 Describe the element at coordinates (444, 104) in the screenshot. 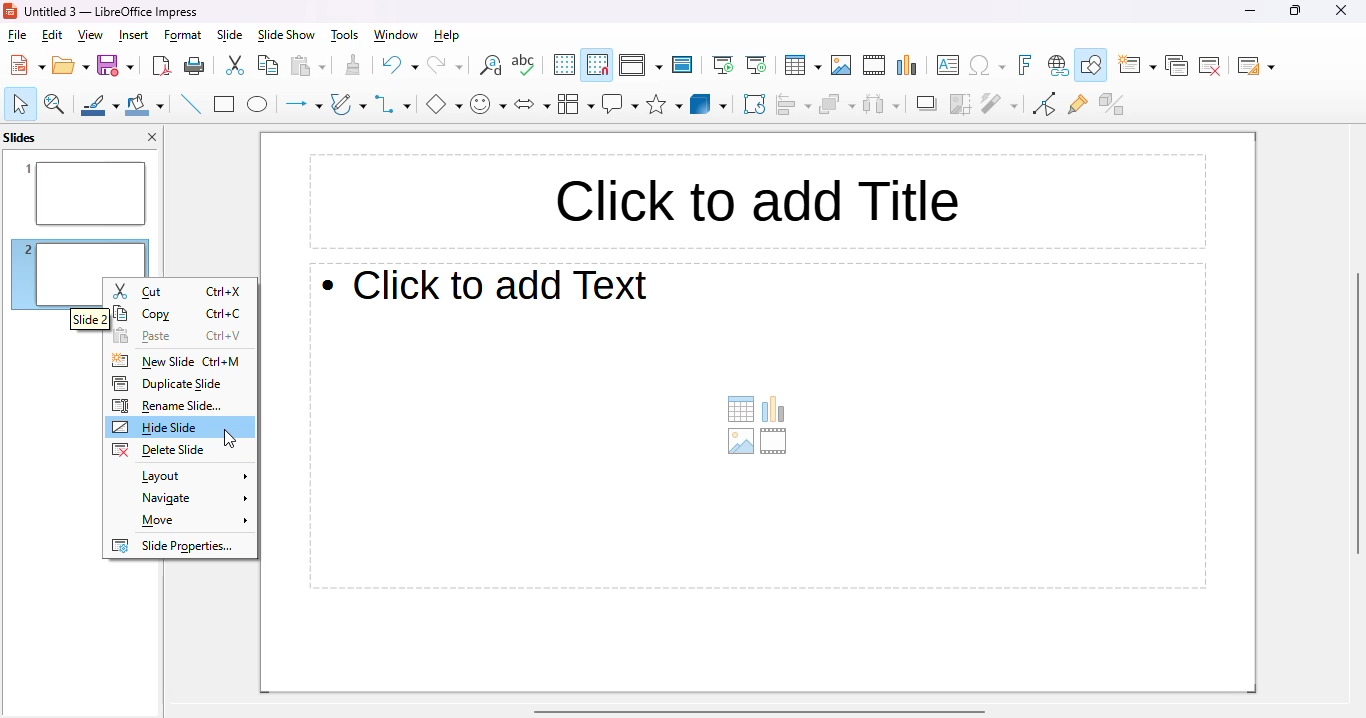

I see `basic shapes` at that location.